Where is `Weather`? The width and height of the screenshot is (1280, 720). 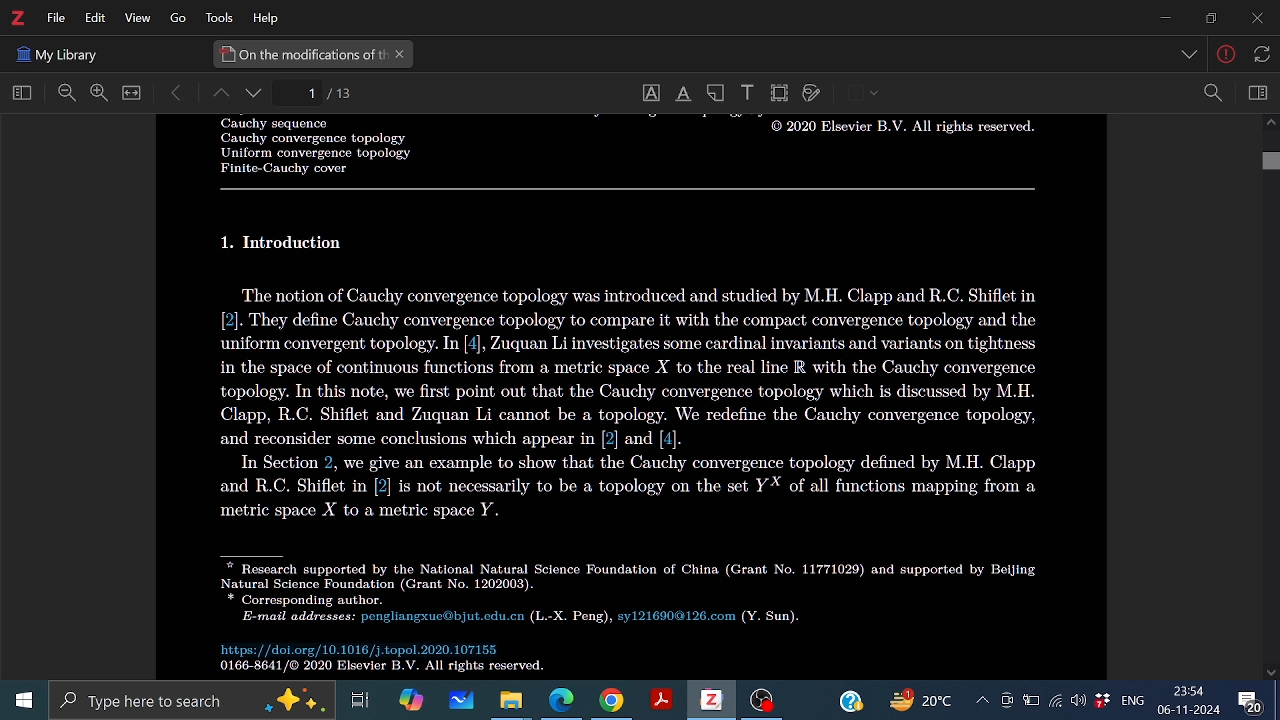
Weather is located at coordinates (925, 701).